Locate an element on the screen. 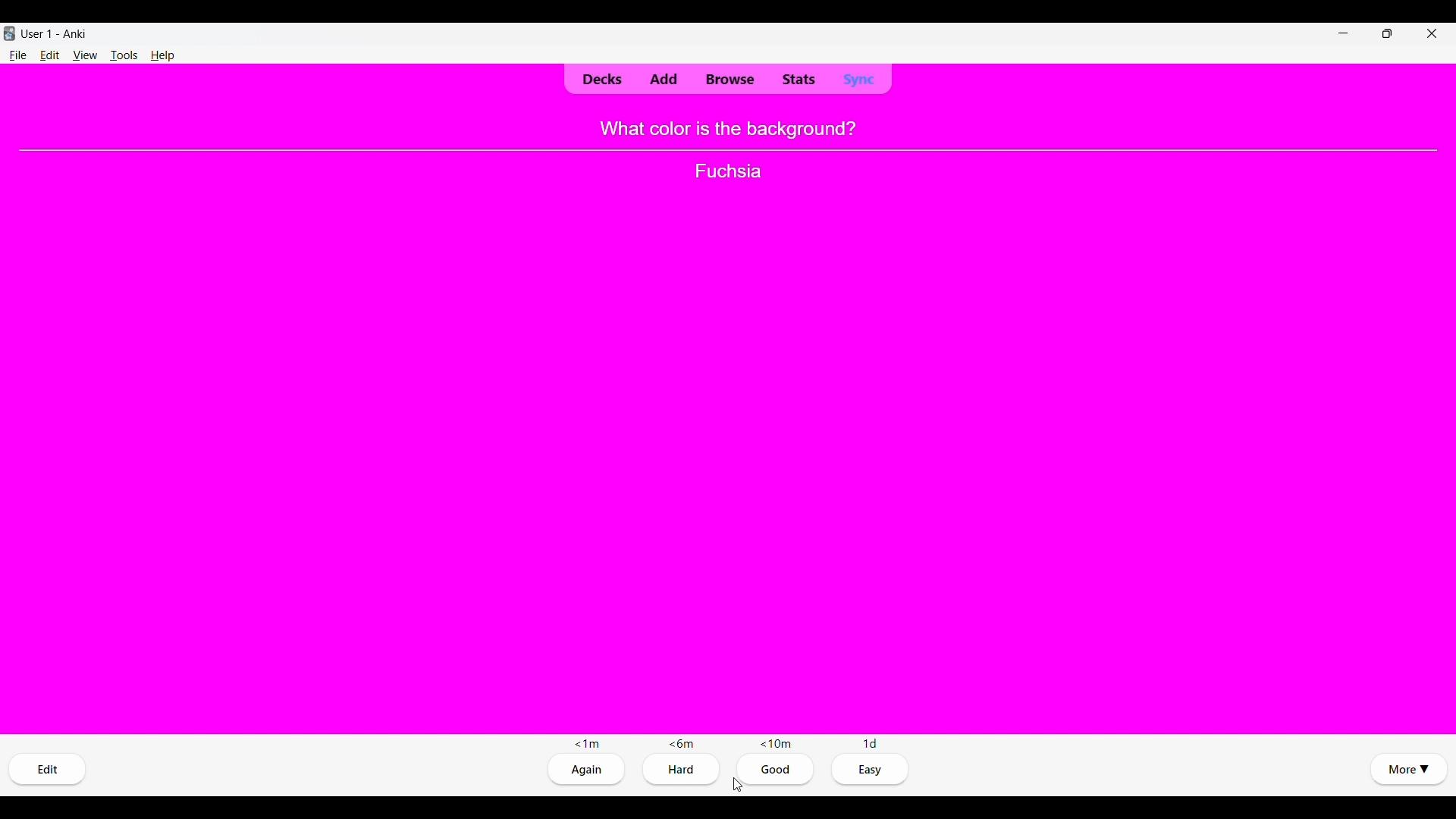  Software logo is located at coordinates (9, 33).